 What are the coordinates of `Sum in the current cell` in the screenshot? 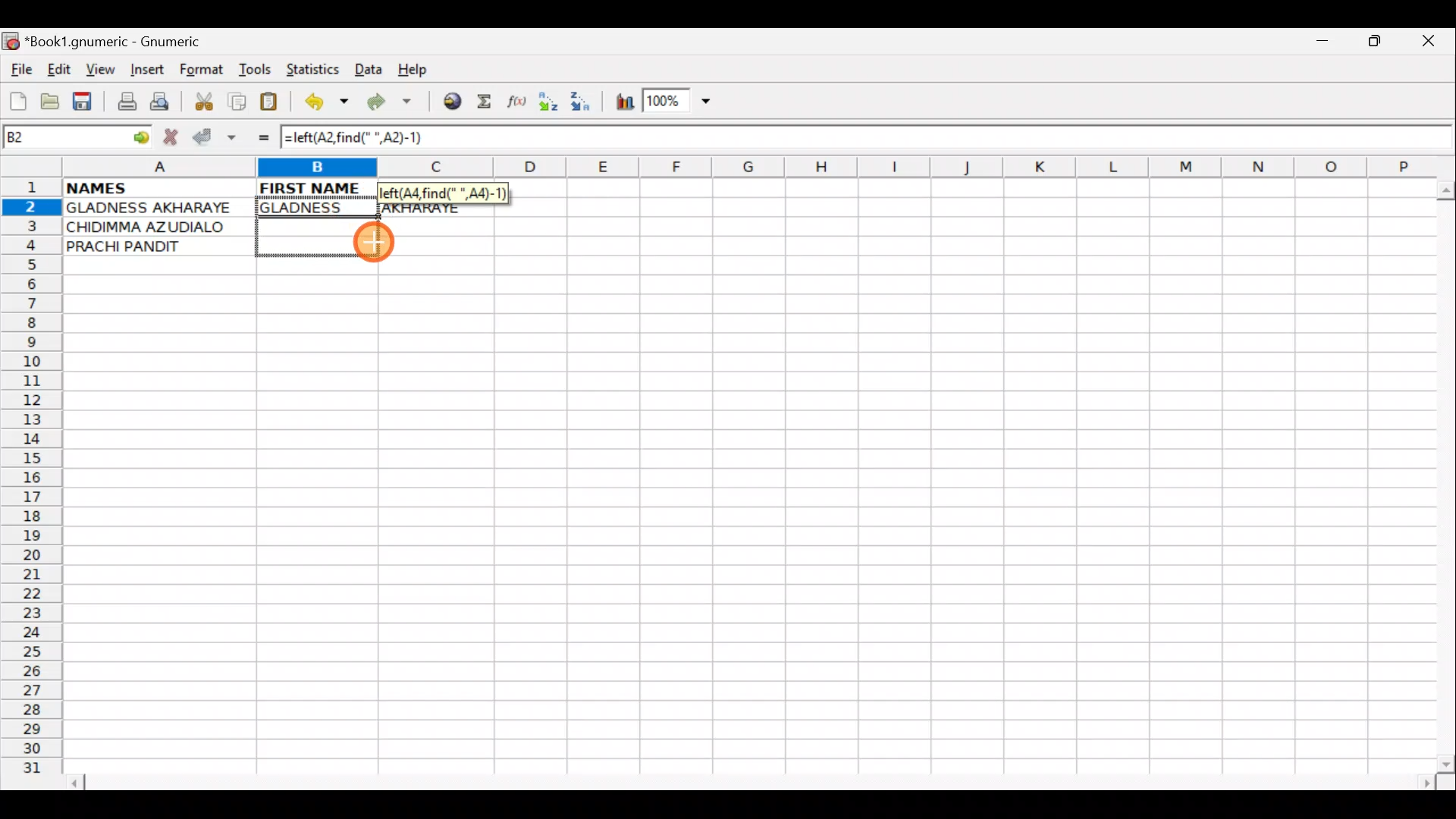 It's located at (489, 102).